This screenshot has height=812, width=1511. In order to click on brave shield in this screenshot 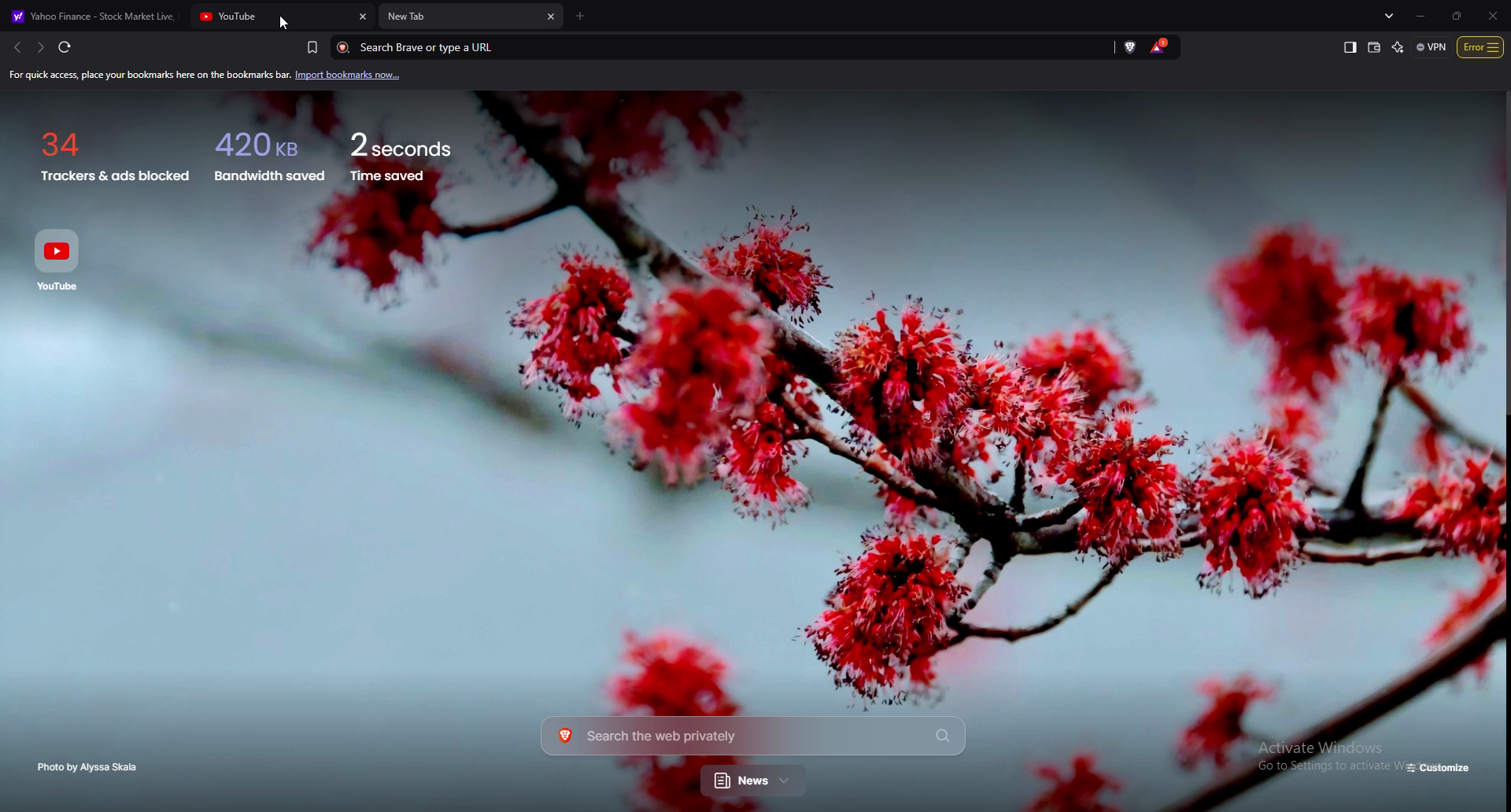, I will do `click(1132, 46)`.